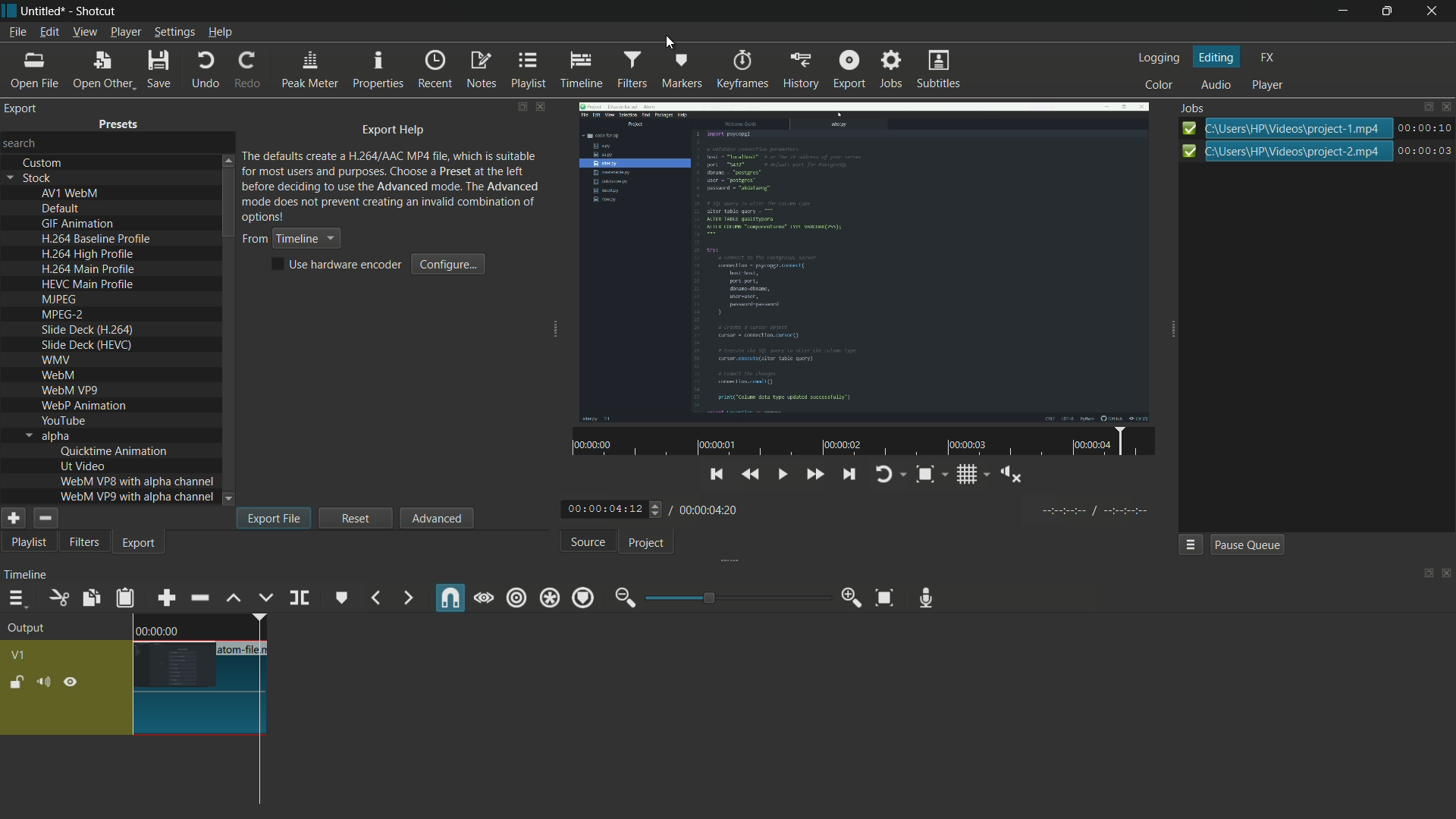 This screenshot has width=1456, height=819. What do you see at coordinates (682, 69) in the screenshot?
I see `markers` at bounding box center [682, 69].